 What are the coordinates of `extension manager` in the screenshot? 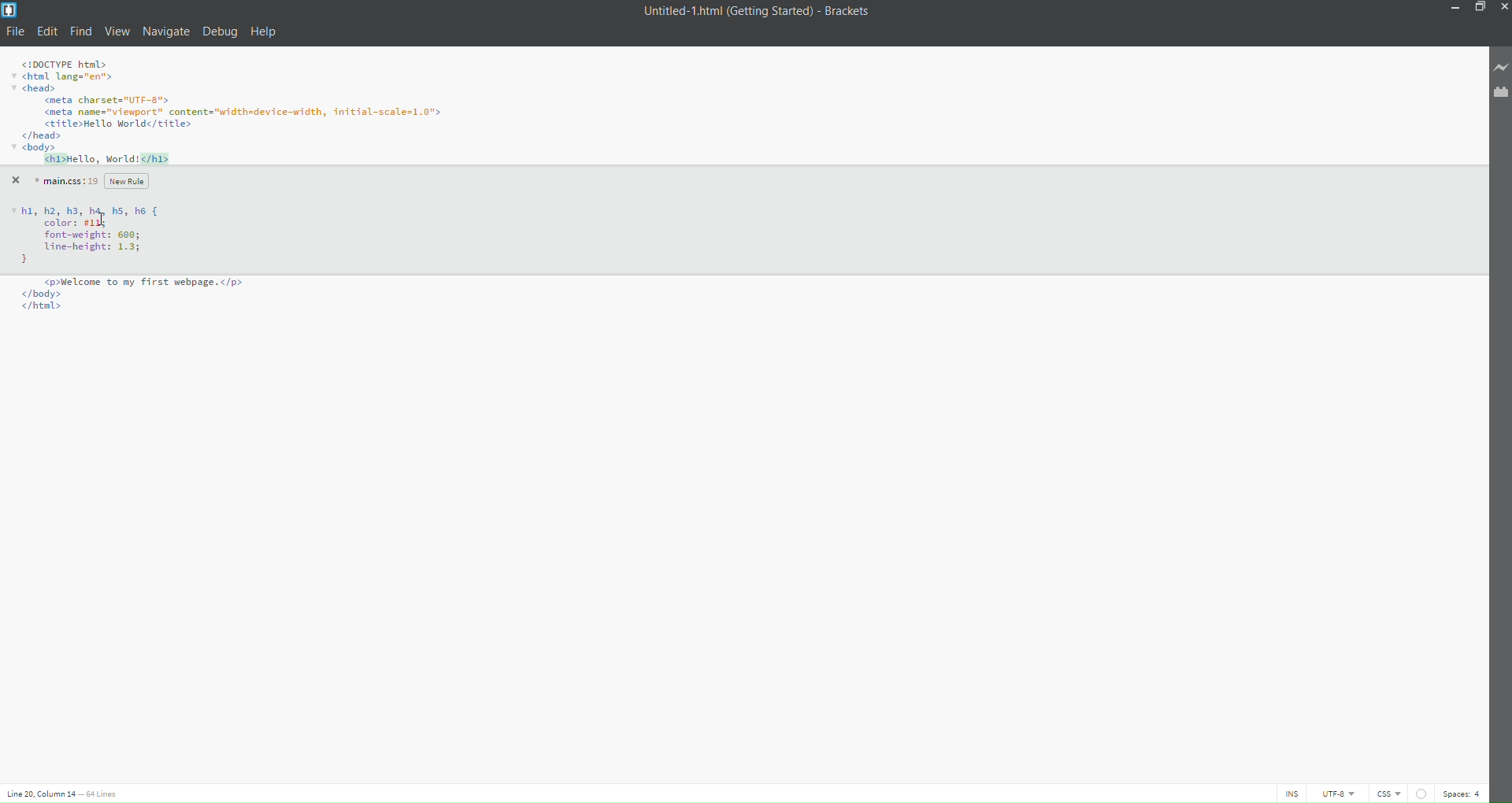 It's located at (1497, 92).